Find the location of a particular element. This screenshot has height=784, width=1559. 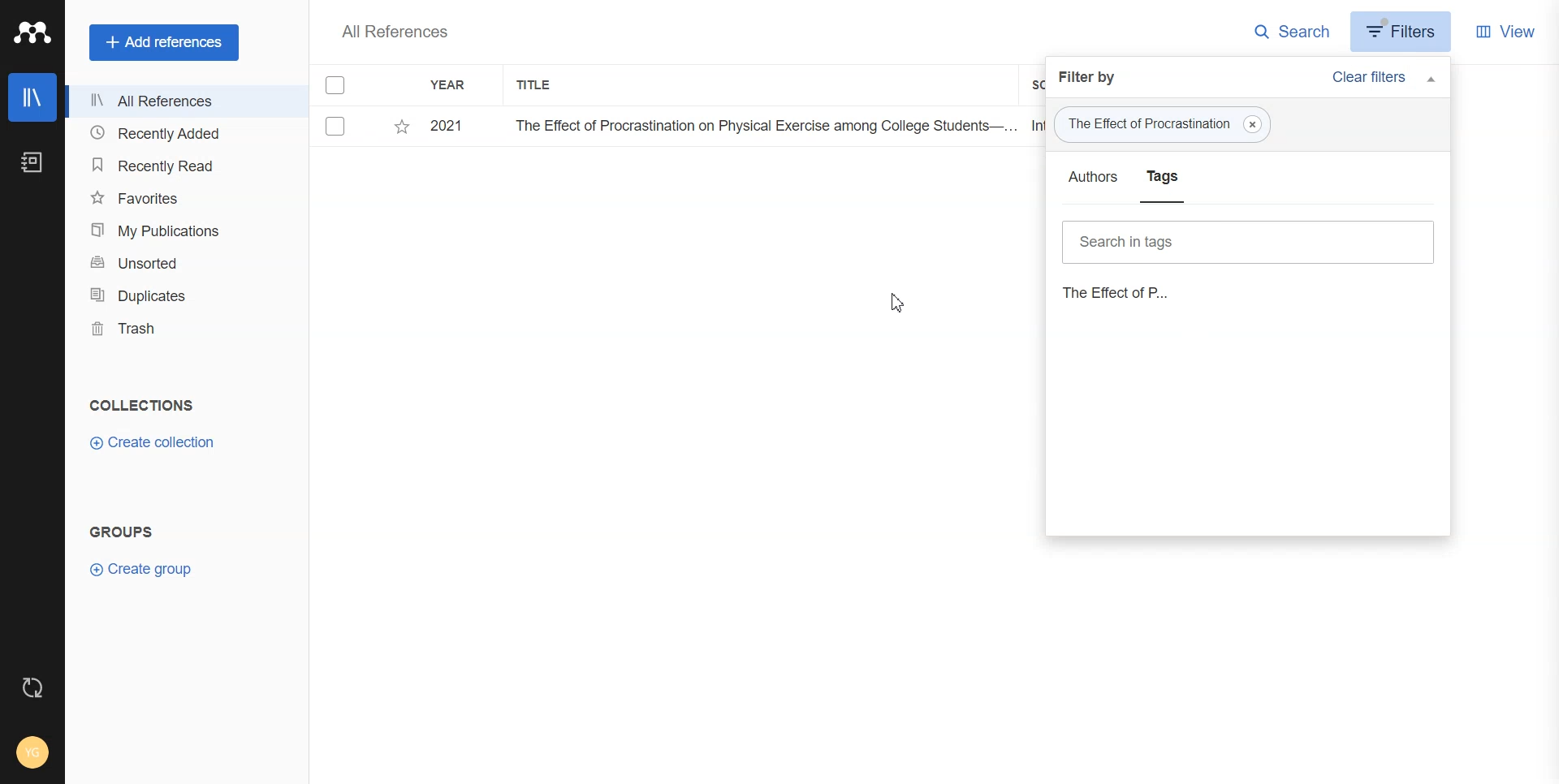

Journal article is located at coordinates (1249, 239).